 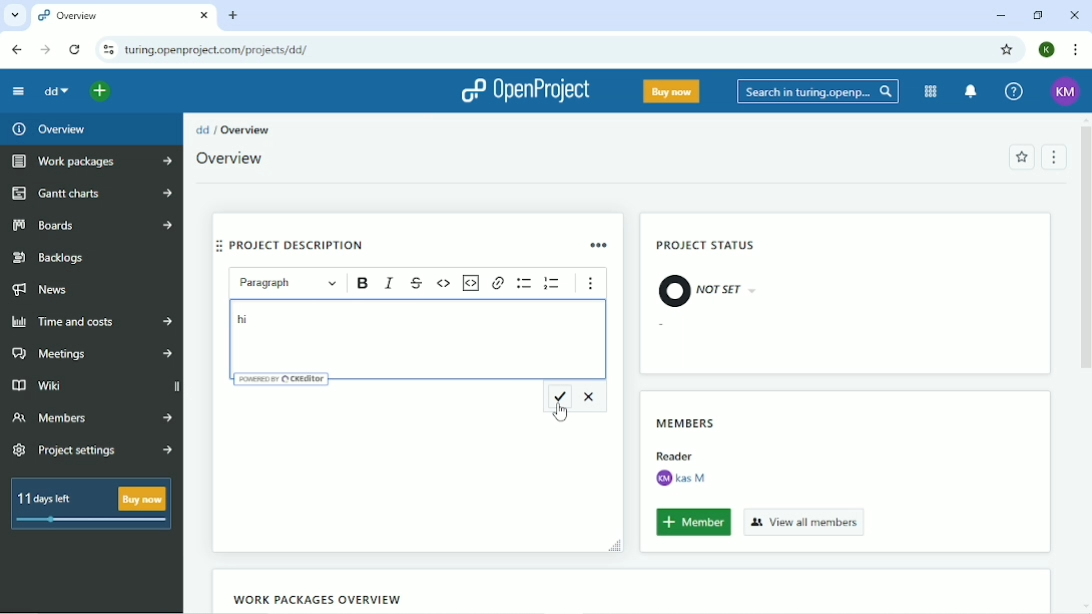 I want to click on Gantt charts, so click(x=90, y=194).